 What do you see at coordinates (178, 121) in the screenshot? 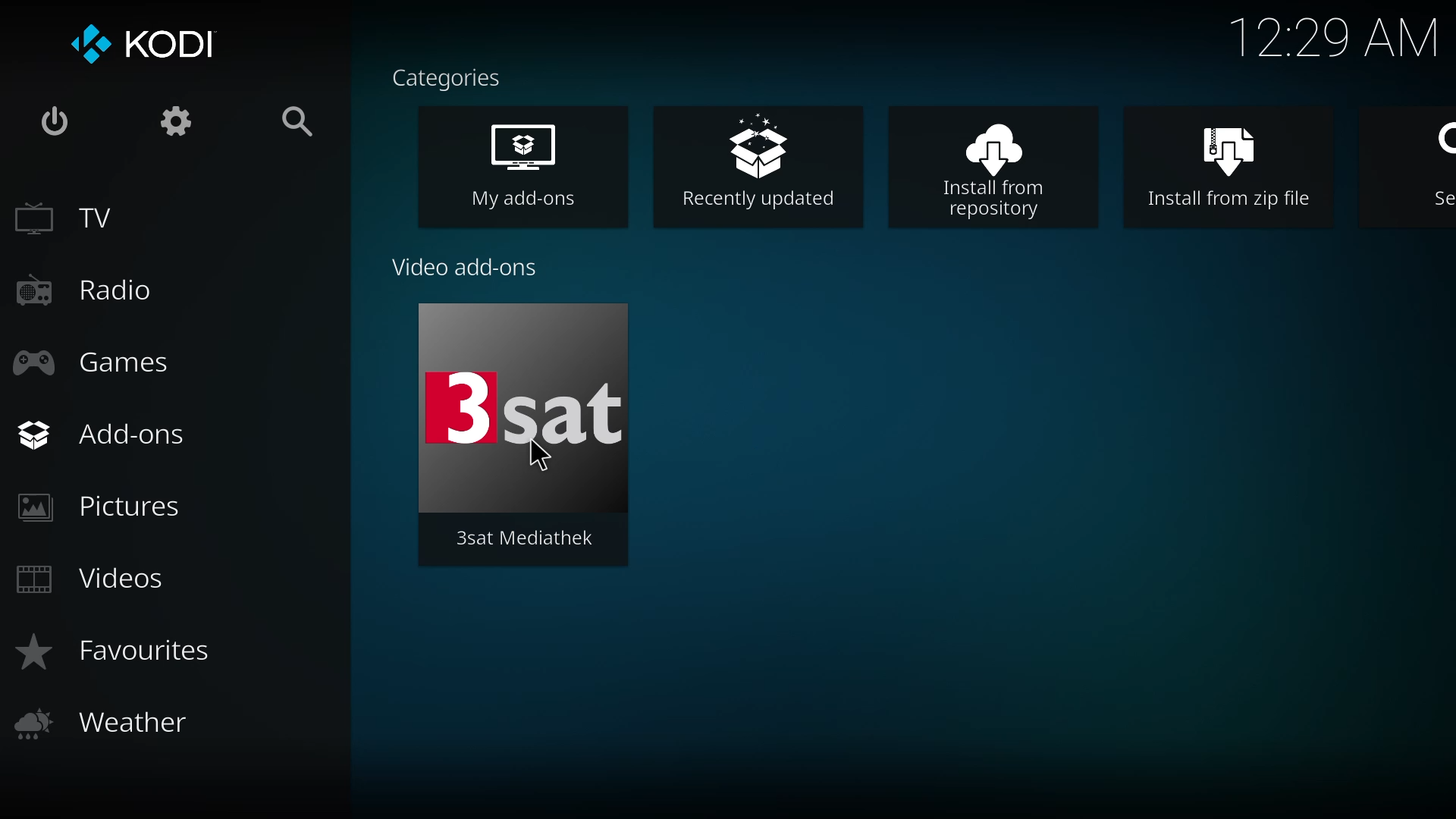
I see `settings` at bounding box center [178, 121].